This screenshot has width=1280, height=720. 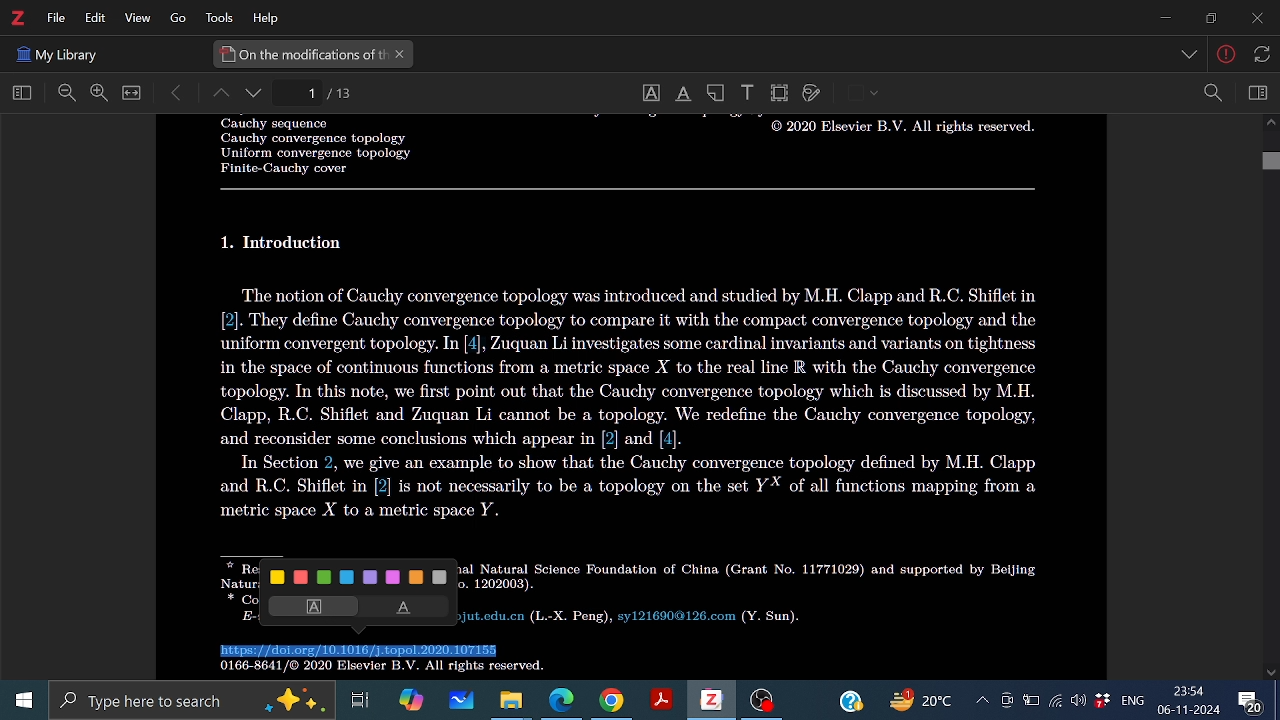 I want to click on Files, so click(x=512, y=700).